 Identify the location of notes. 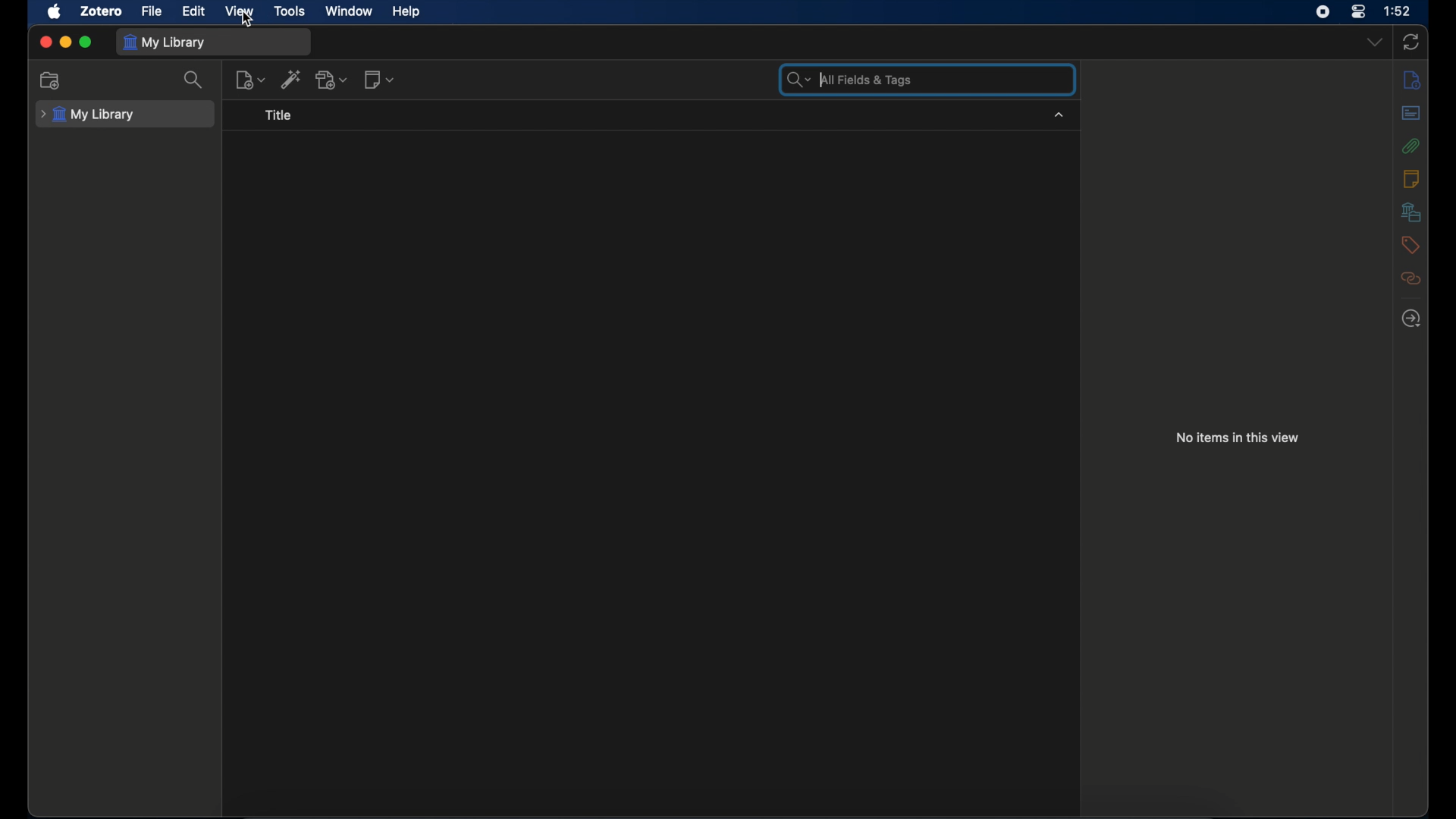
(1411, 178).